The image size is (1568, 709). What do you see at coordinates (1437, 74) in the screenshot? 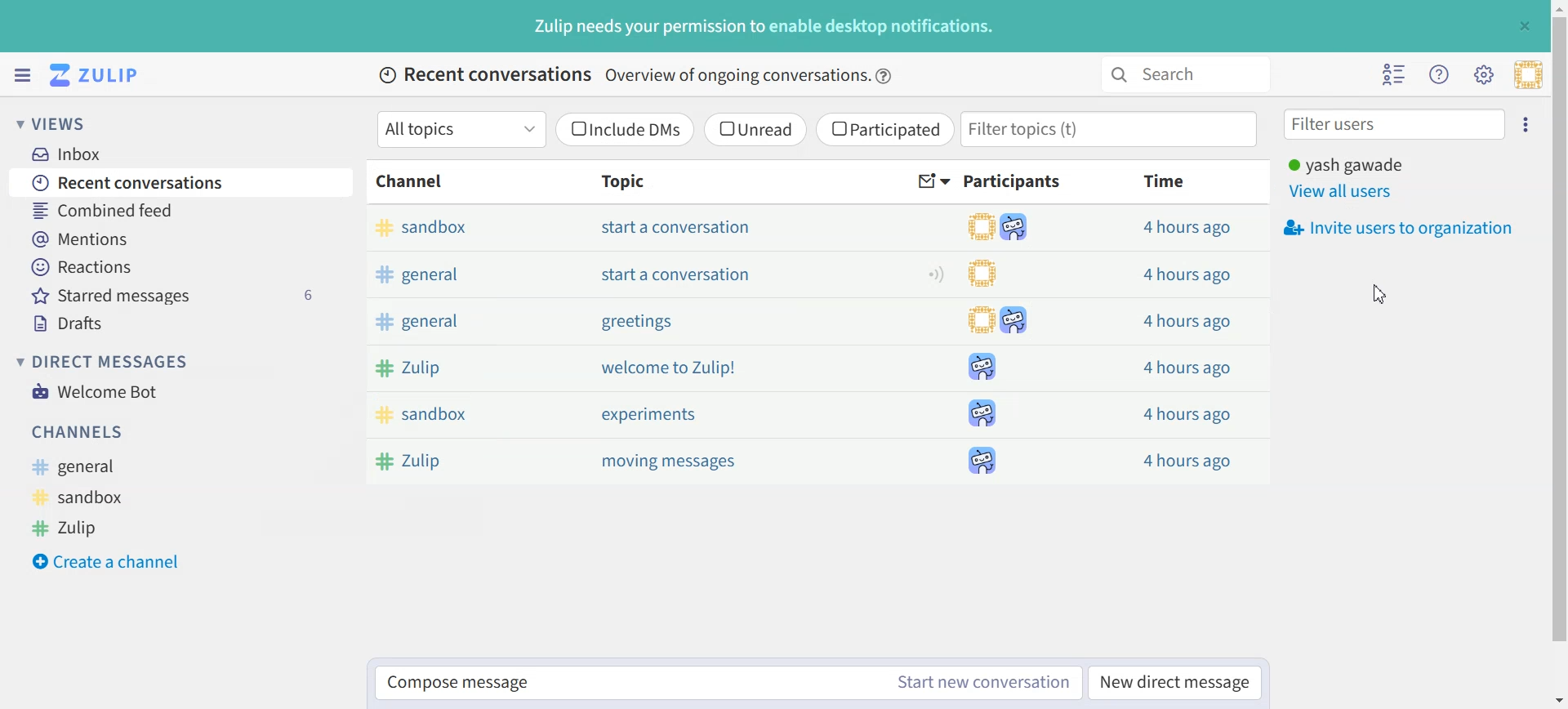
I see `Help Menu` at bounding box center [1437, 74].